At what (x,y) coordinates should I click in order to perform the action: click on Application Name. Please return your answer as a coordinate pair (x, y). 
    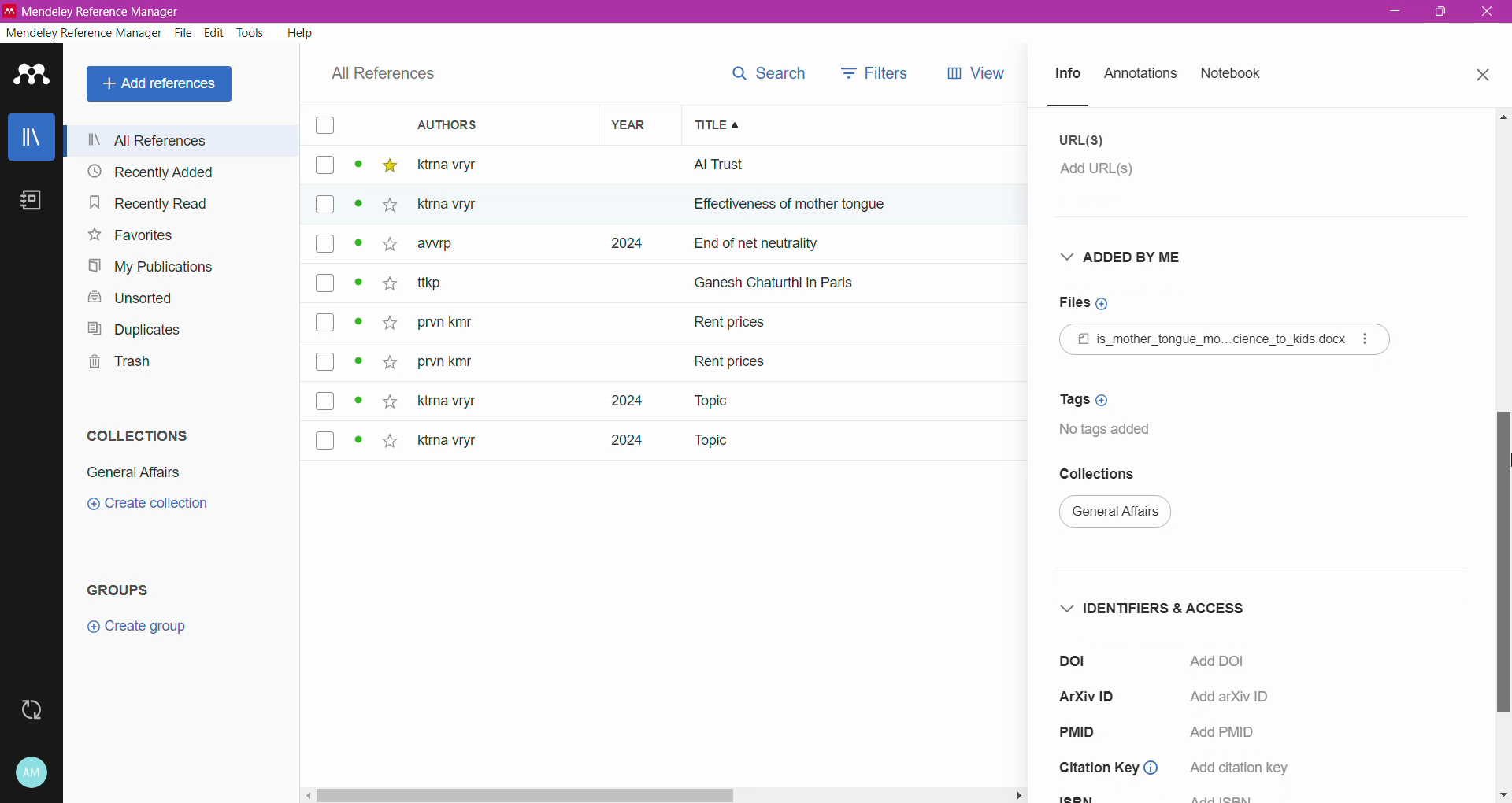
    Looking at the image, I should click on (107, 11).